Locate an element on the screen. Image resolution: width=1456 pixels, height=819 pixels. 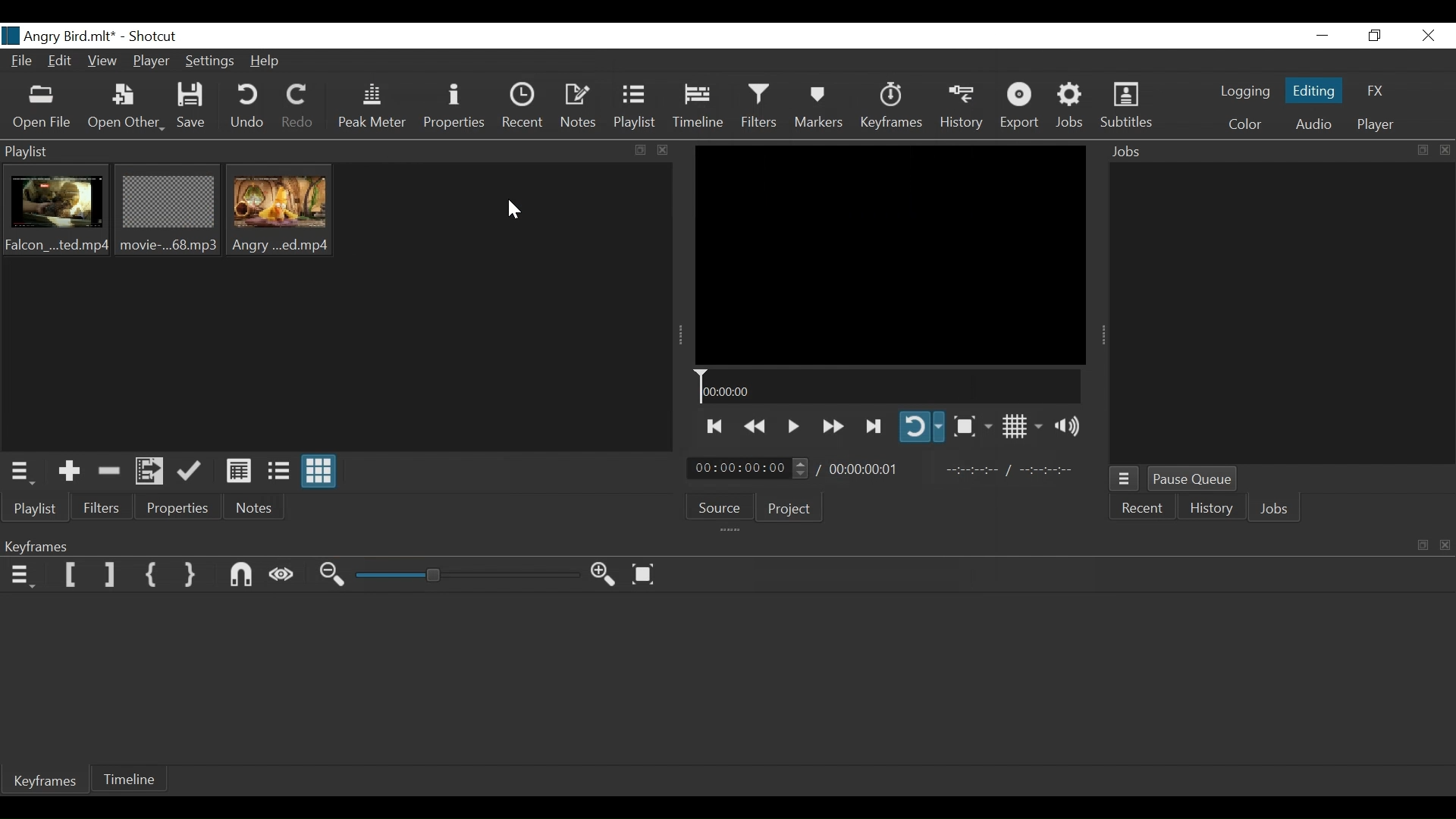
Play backwards quickly is located at coordinates (759, 427).